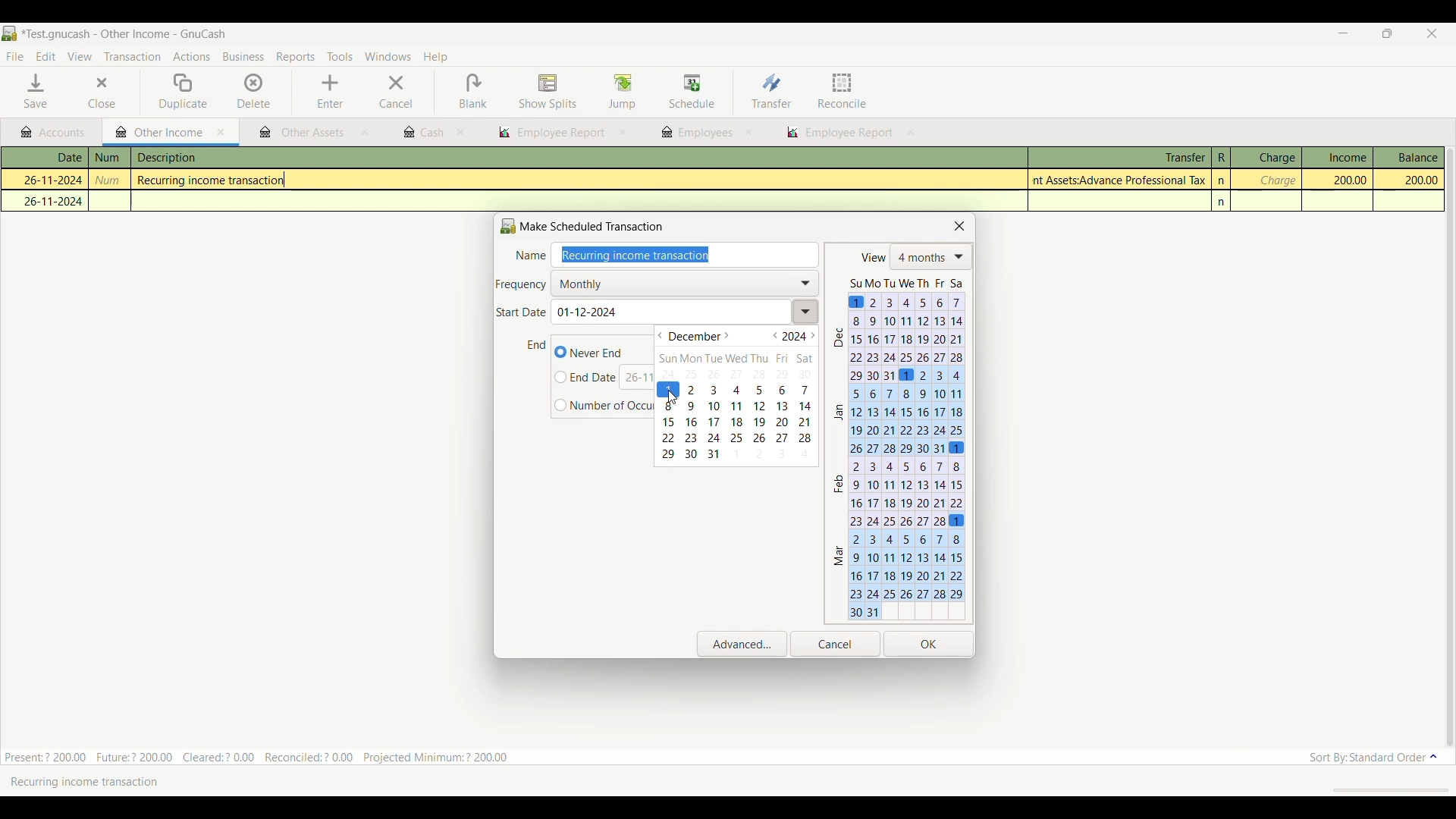  I want to click on employee report, so click(551, 133).